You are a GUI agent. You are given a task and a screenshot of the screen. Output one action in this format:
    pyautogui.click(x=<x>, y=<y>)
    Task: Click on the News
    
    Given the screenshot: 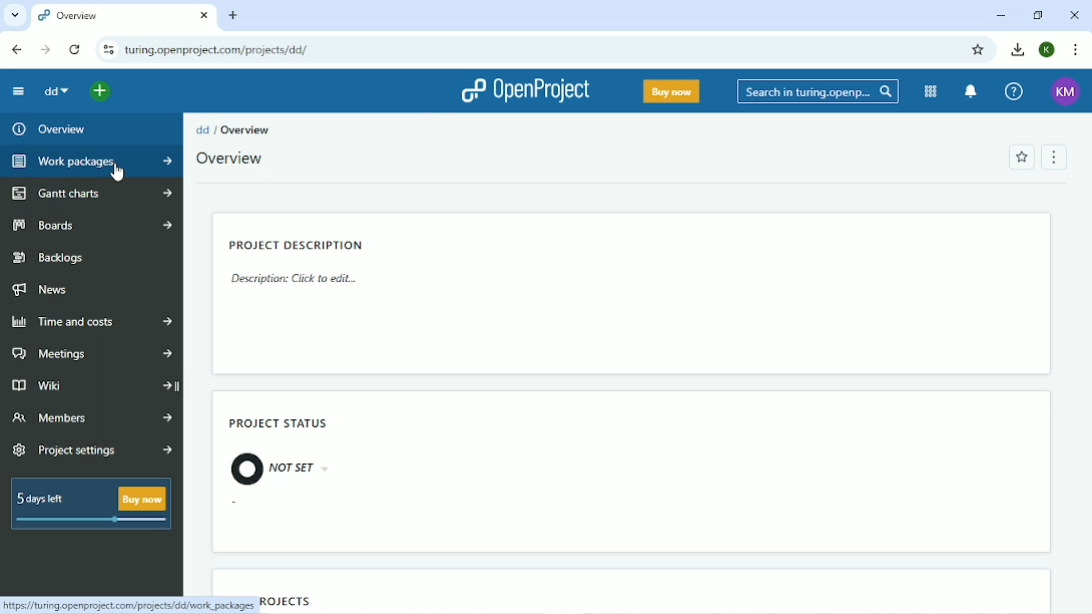 What is the action you would take?
    pyautogui.click(x=42, y=289)
    